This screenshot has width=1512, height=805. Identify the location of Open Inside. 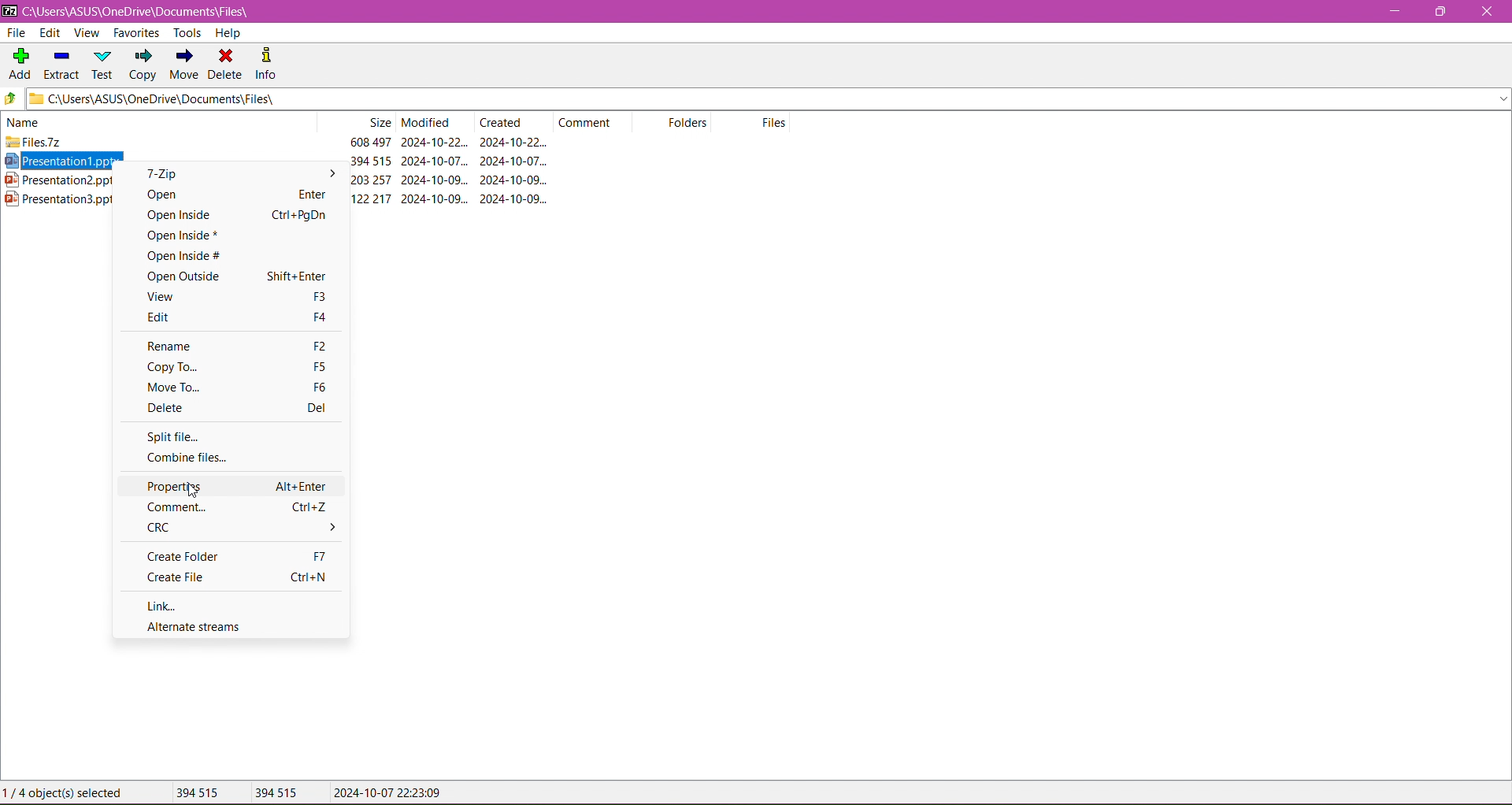
(228, 214).